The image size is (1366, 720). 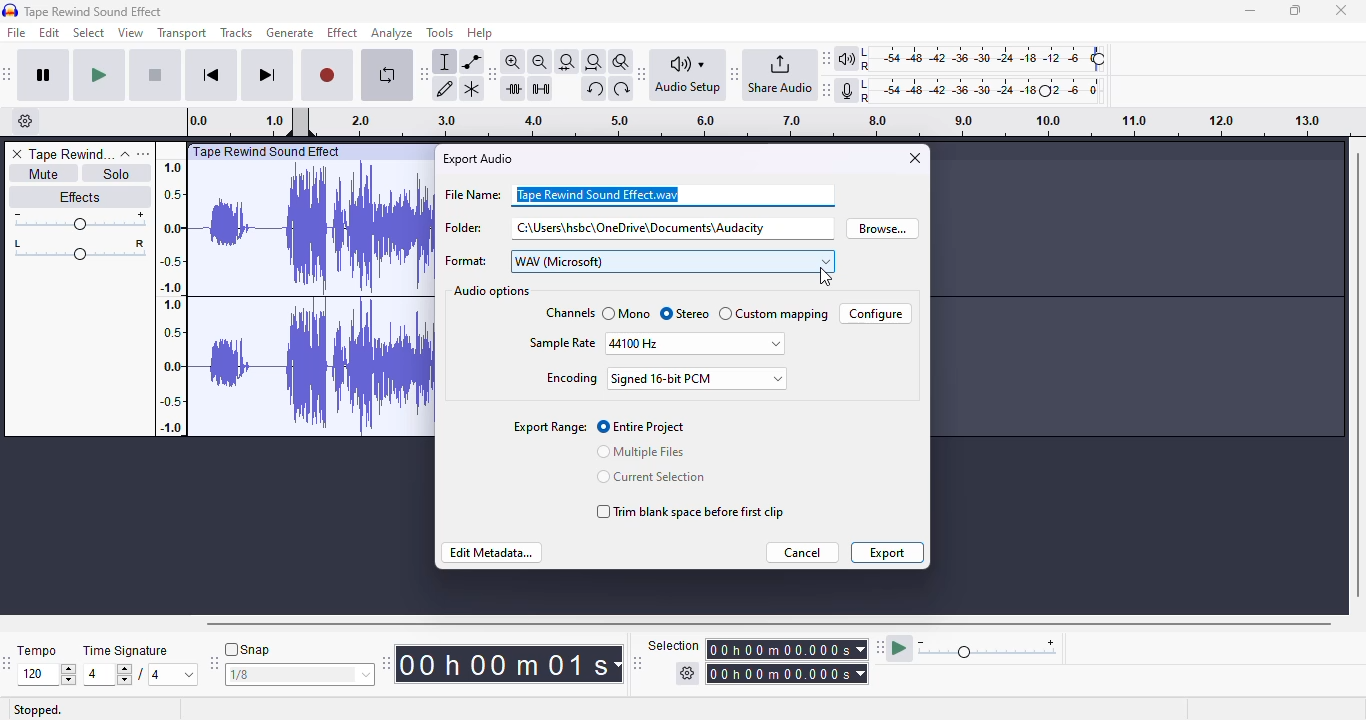 What do you see at coordinates (289, 33) in the screenshot?
I see `generate` at bounding box center [289, 33].